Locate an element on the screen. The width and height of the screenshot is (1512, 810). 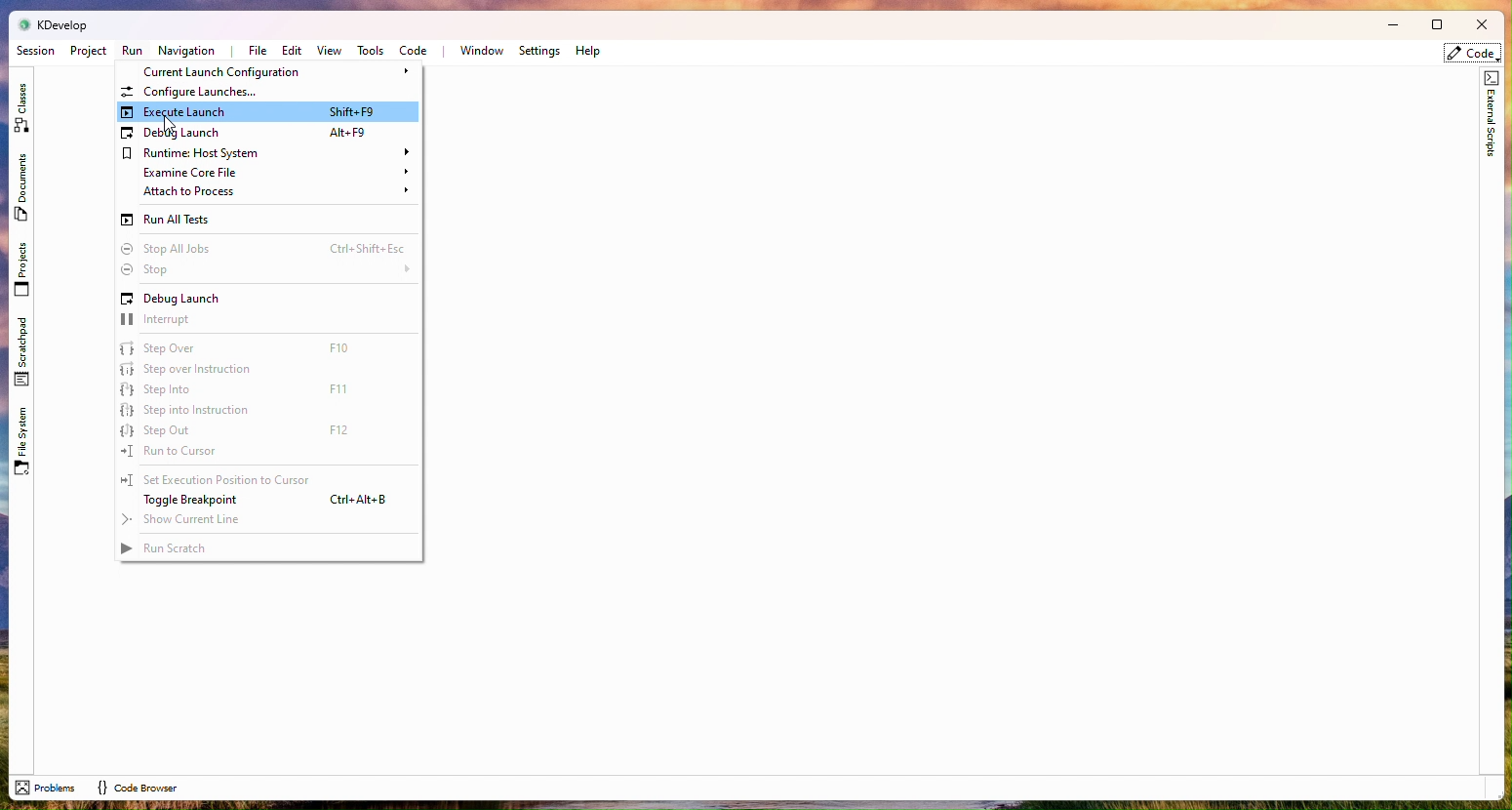
Stop all lots  is located at coordinates (264, 248).